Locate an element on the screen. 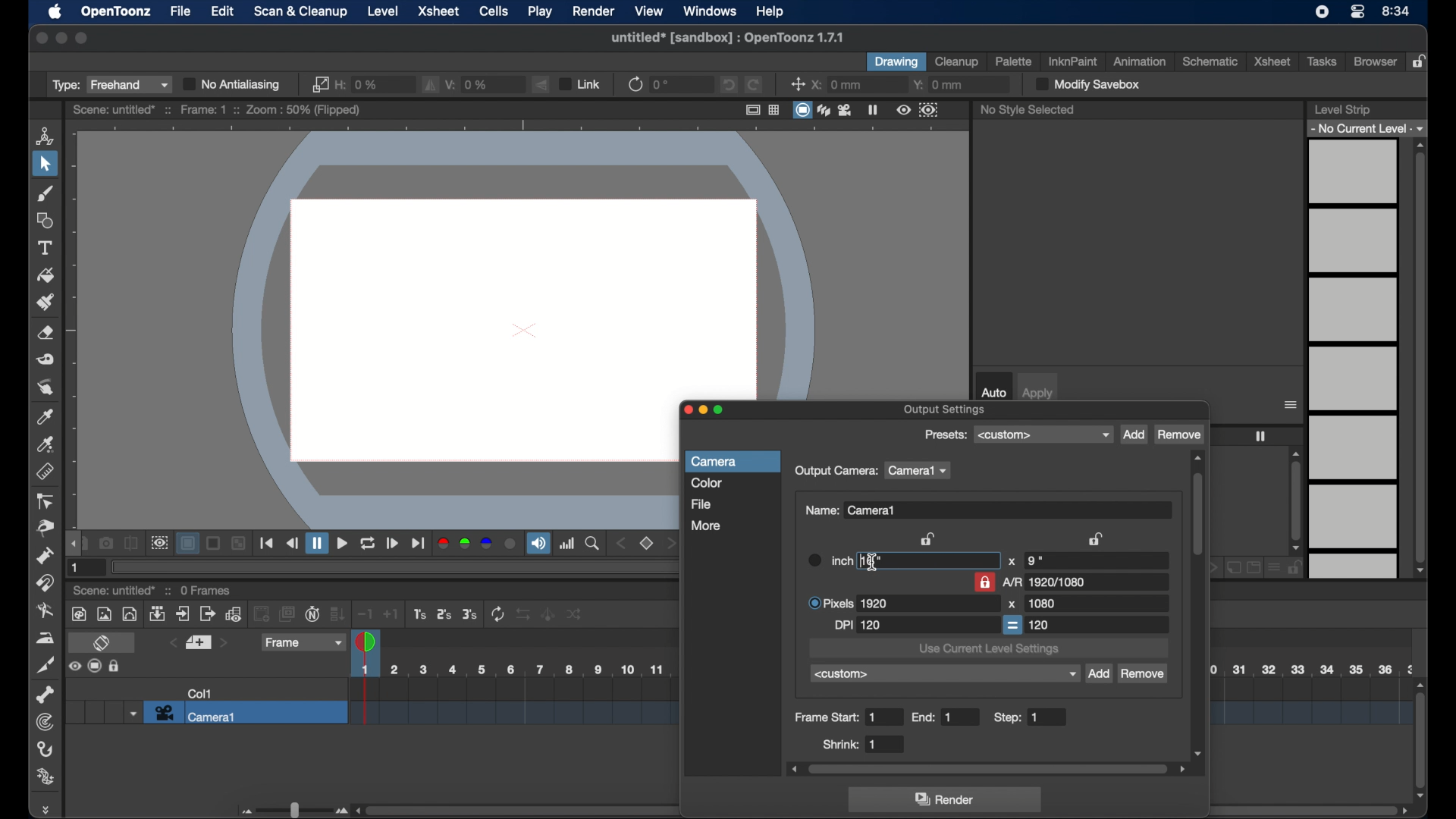 This screenshot has height=819, width=1456.  is located at coordinates (95, 666).